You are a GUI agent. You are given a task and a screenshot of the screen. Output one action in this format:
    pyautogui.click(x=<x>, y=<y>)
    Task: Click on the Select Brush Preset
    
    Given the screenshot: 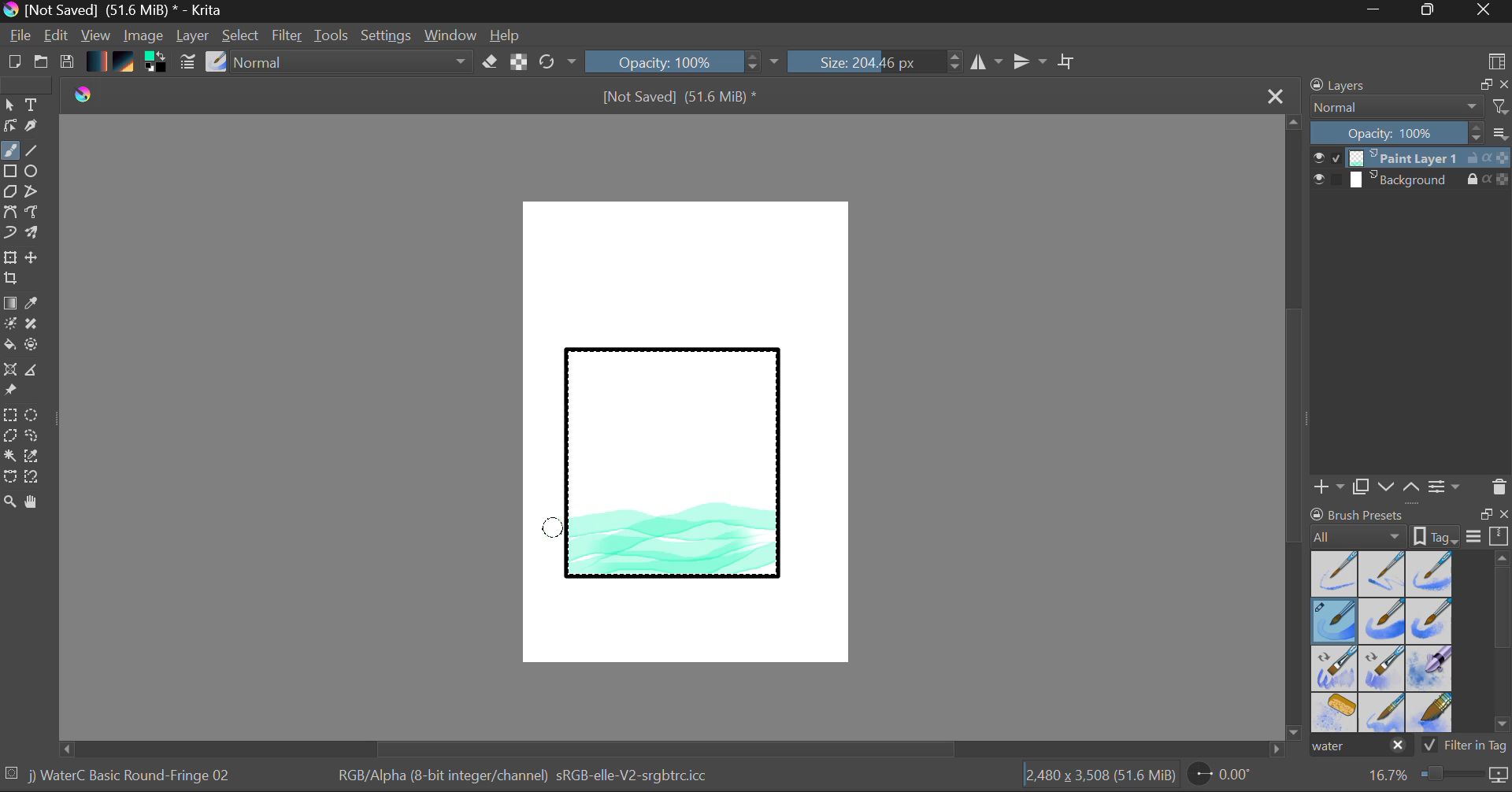 What is the action you would take?
    pyautogui.click(x=217, y=62)
    